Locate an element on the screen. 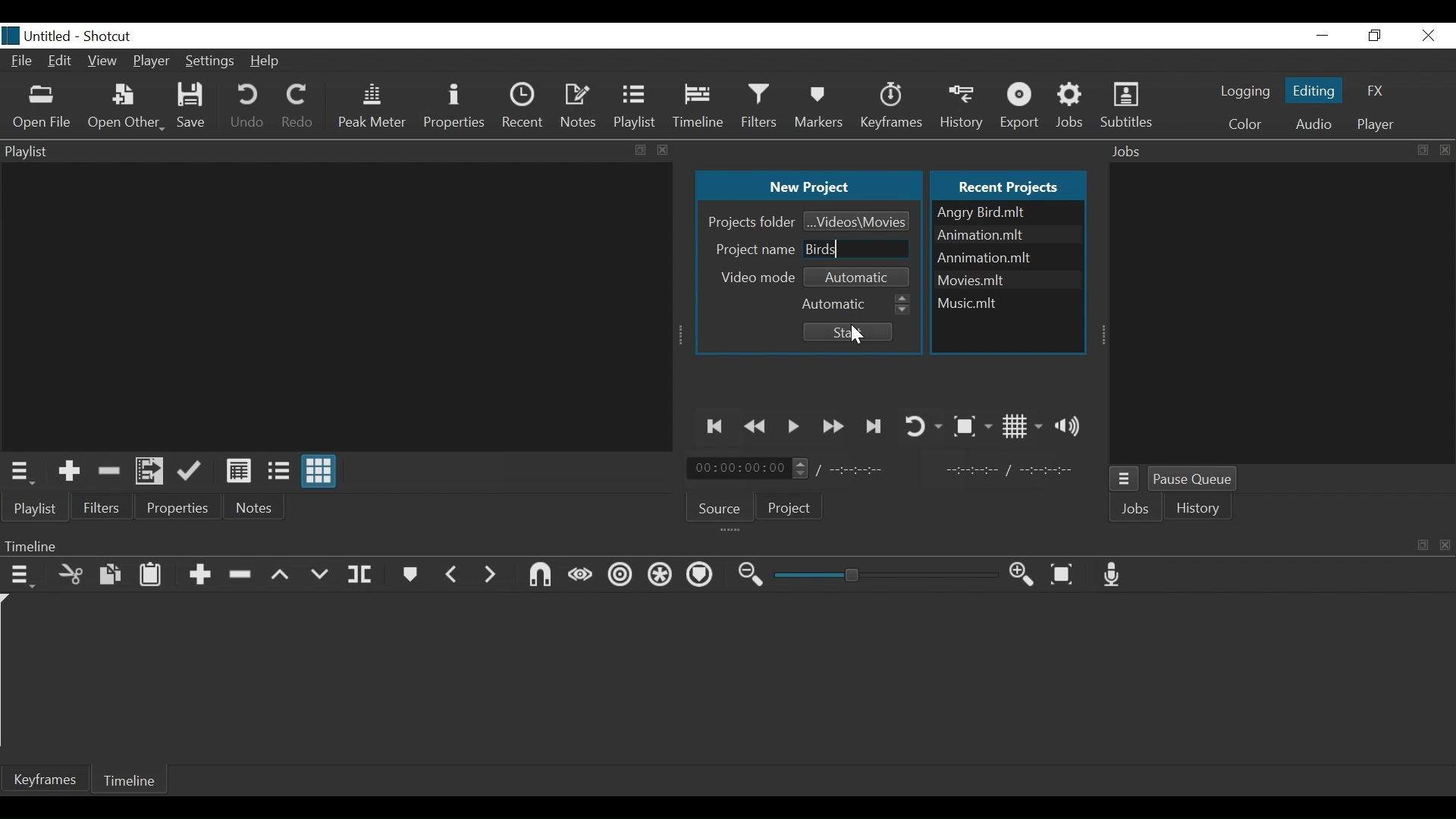 This screenshot has width=1456, height=819. Ripple is located at coordinates (620, 578).